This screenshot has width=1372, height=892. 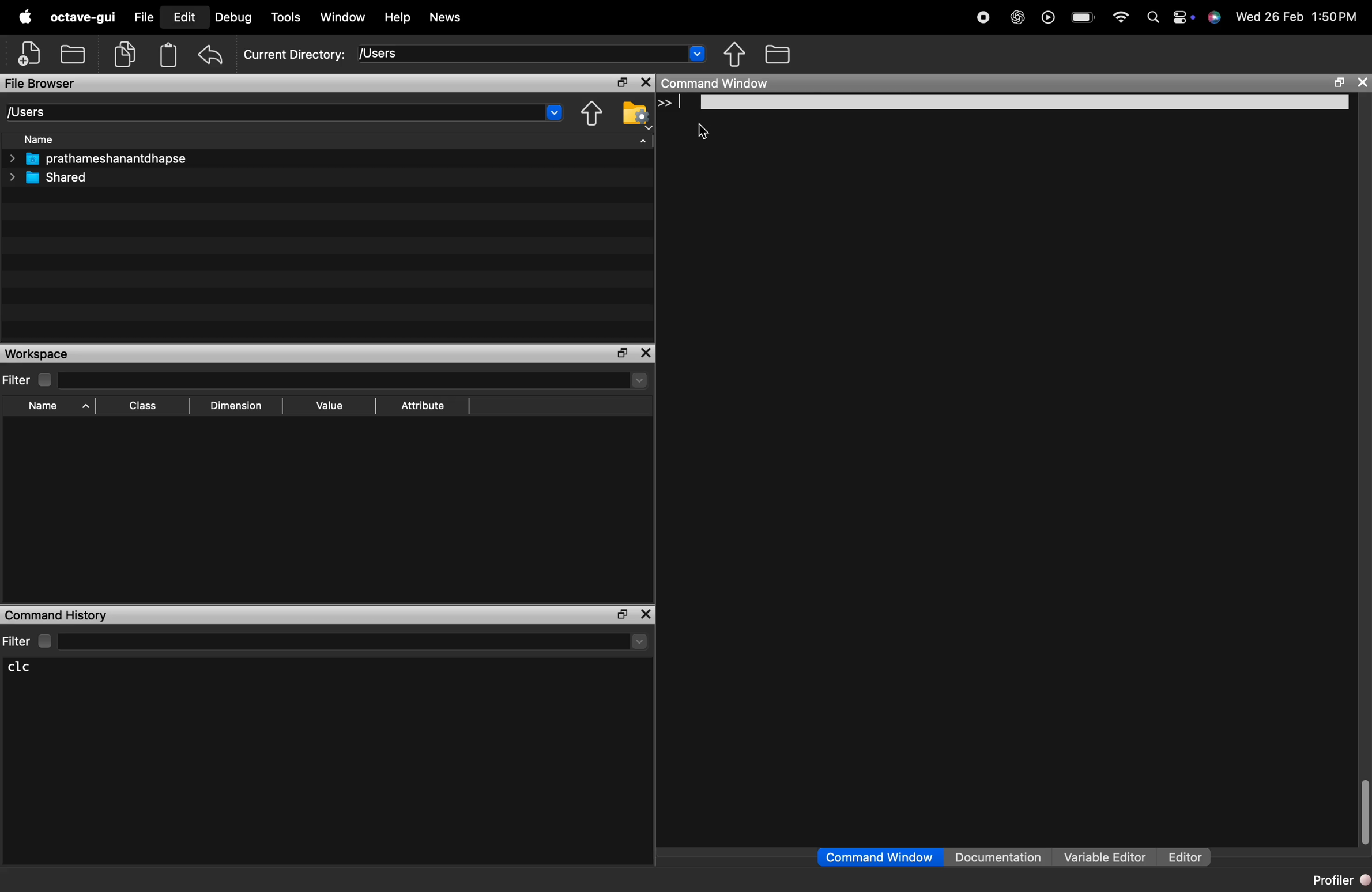 What do you see at coordinates (295, 55) in the screenshot?
I see `Current Directory:` at bounding box center [295, 55].